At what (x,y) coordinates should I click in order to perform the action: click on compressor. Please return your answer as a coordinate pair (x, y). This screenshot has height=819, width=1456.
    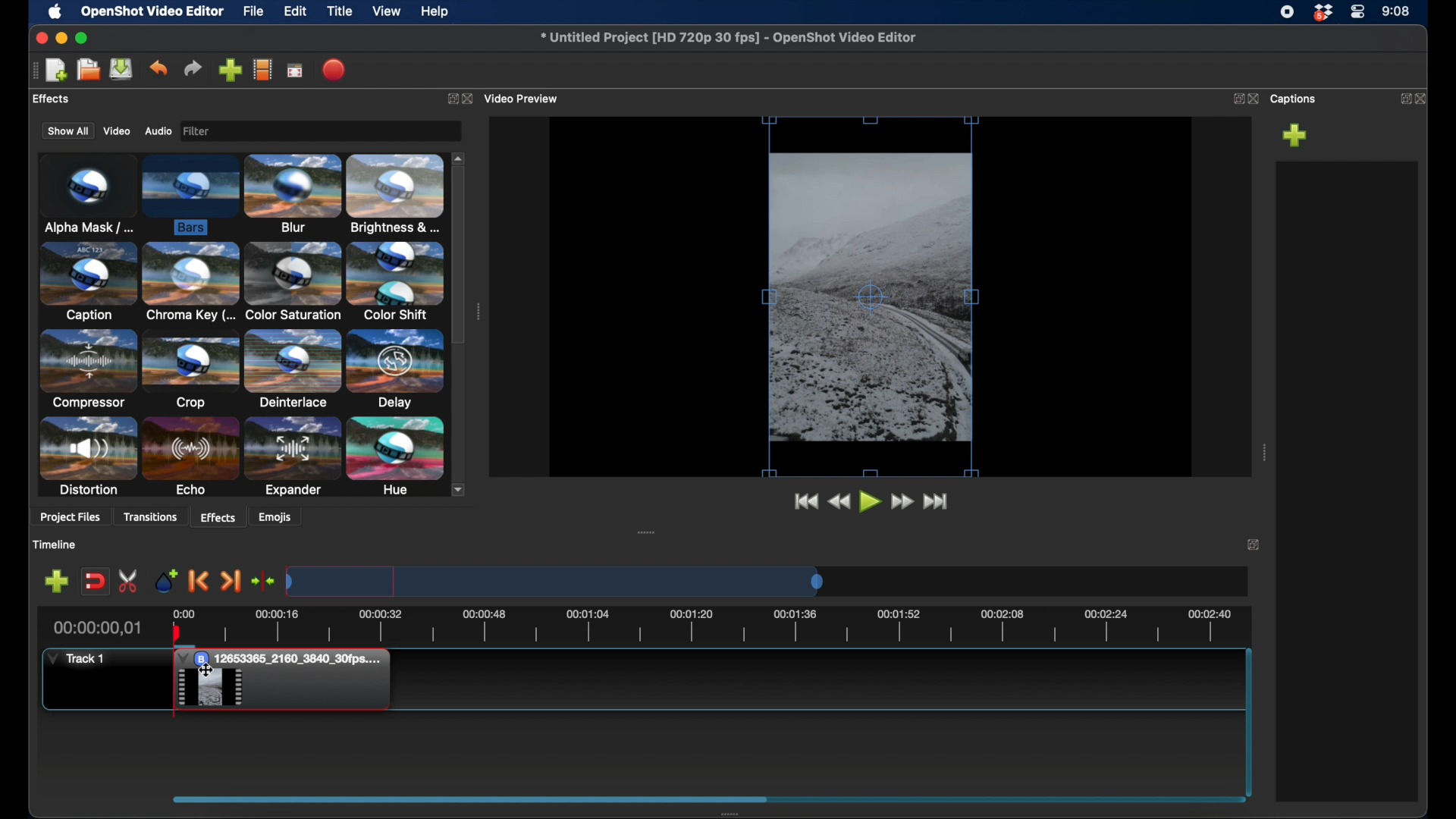
    Looking at the image, I should click on (88, 370).